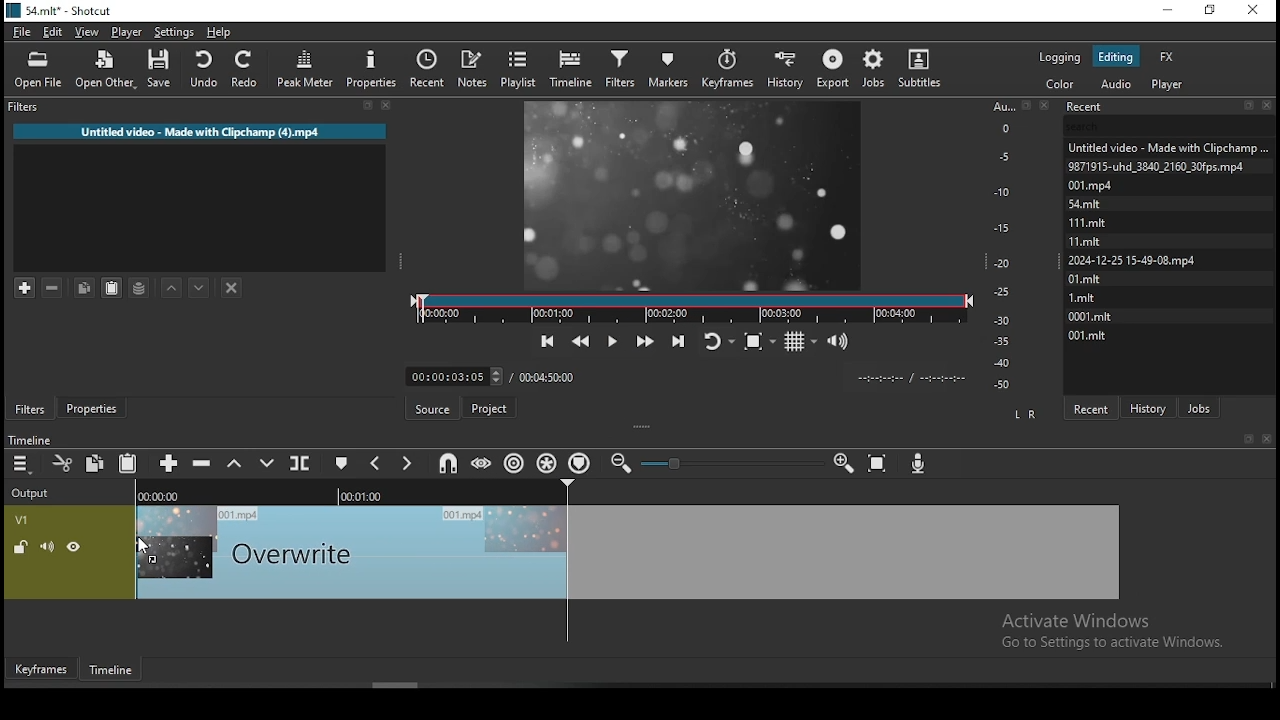 Image resolution: width=1280 pixels, height=720 pixels. Describe the element at coordinates (21, 548) in the screenshot. I see `(un)lock` at that location.